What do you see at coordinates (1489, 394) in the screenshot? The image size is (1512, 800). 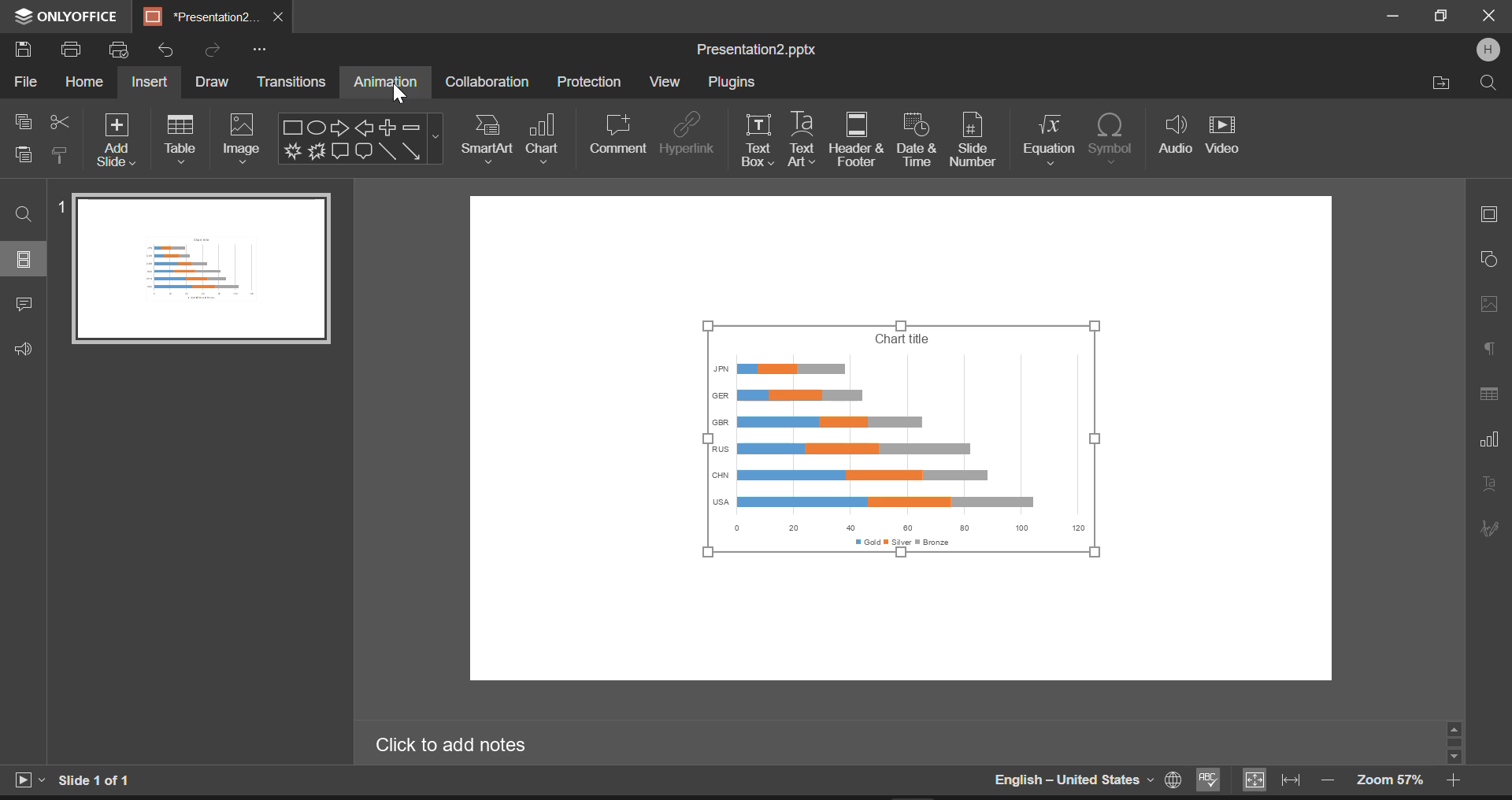 I see `Table Settings` at bounding box center [1489, 394].